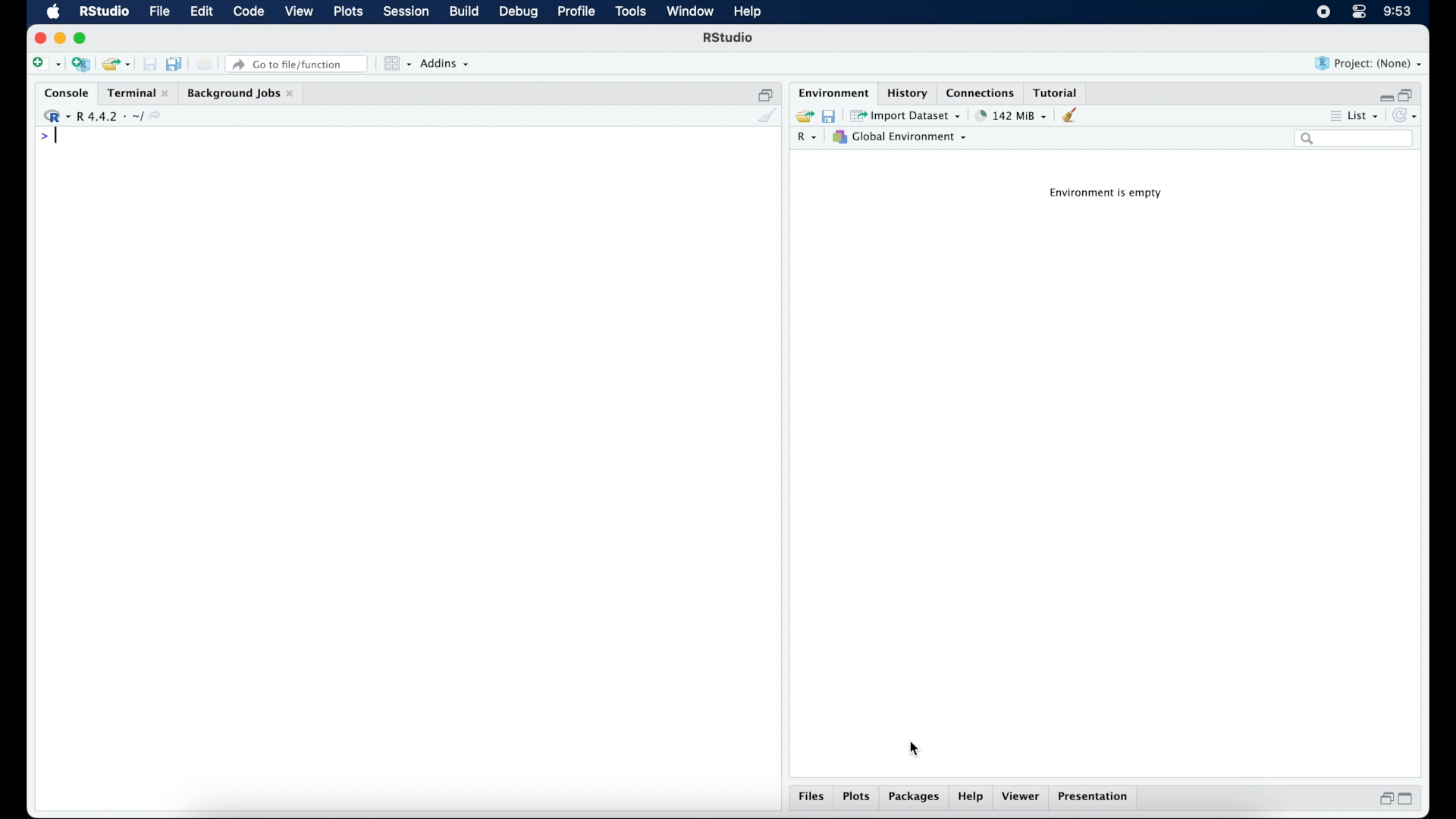 The width and height of the screenshot is (1456, 819). Describe the element at coordinates (406, 12) in the screenshot. I see `session` at that location.